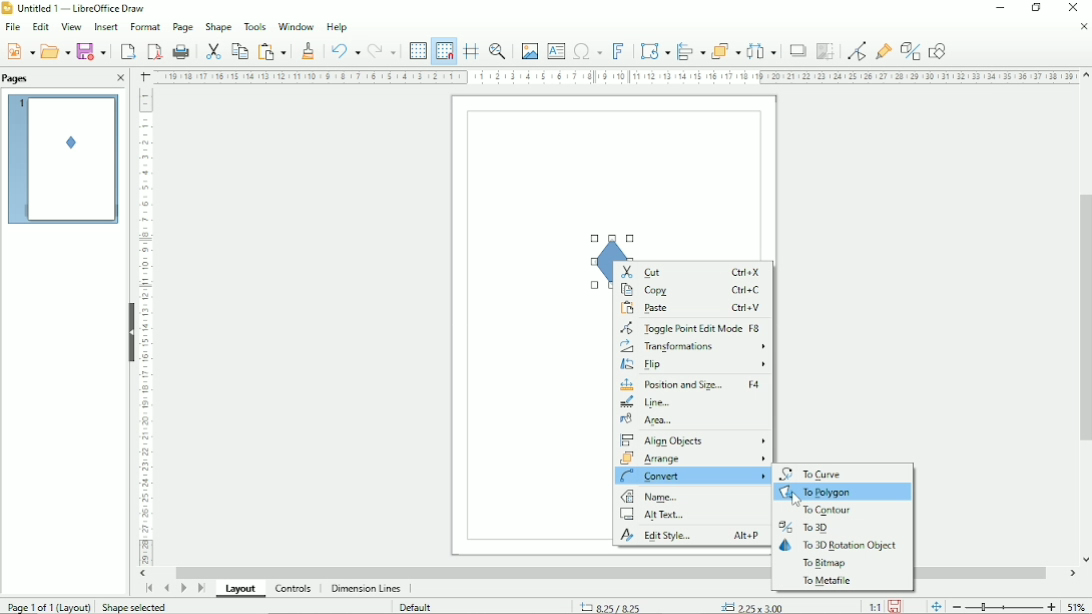 This screenshot has width=1092, height=614. Describe the element at coordinates (239, 50) in the screenshot. I see `Copy` at that location.